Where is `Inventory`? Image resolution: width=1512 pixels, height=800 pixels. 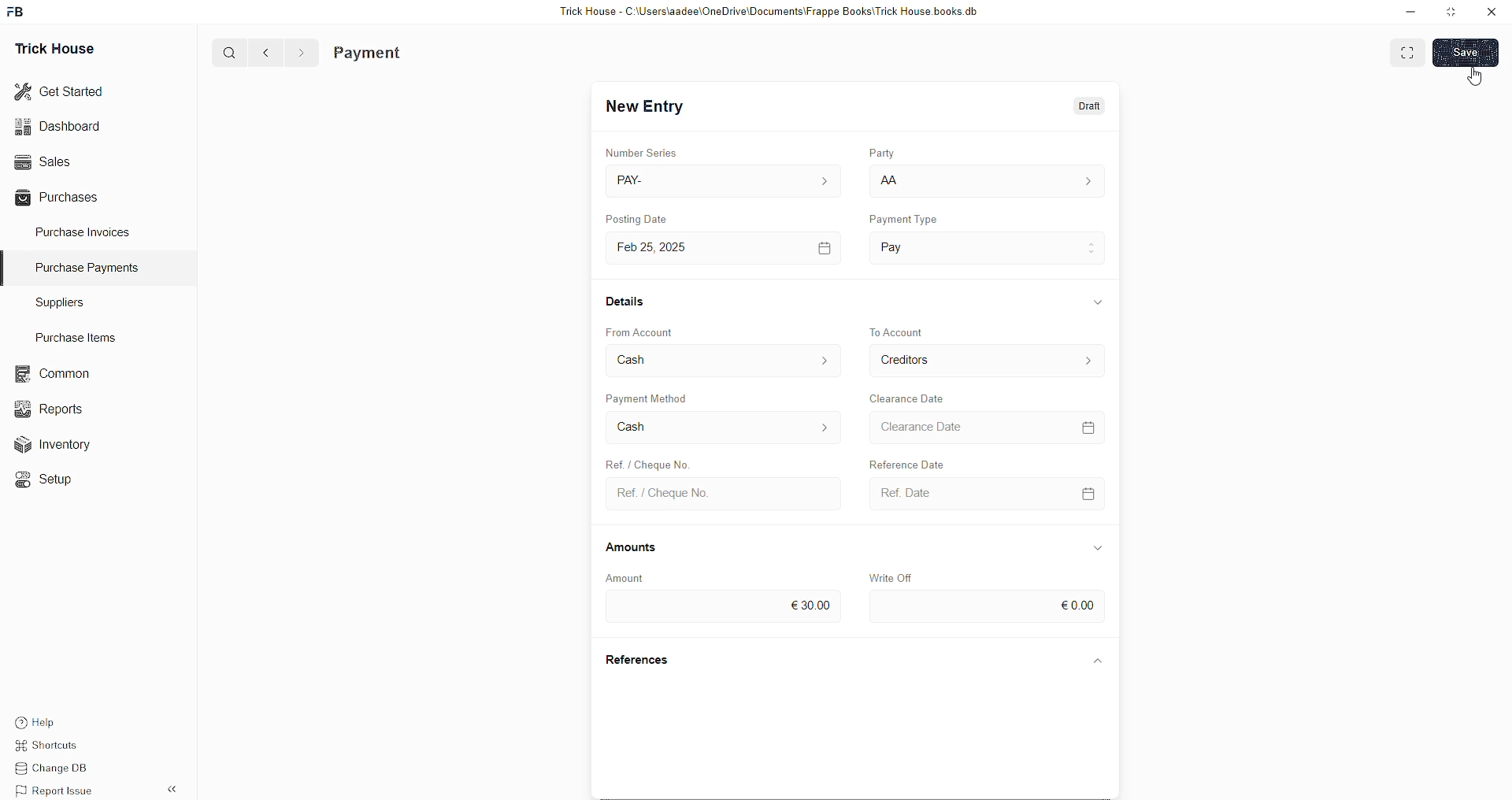 Inventory is located at coordinates (61, 448).